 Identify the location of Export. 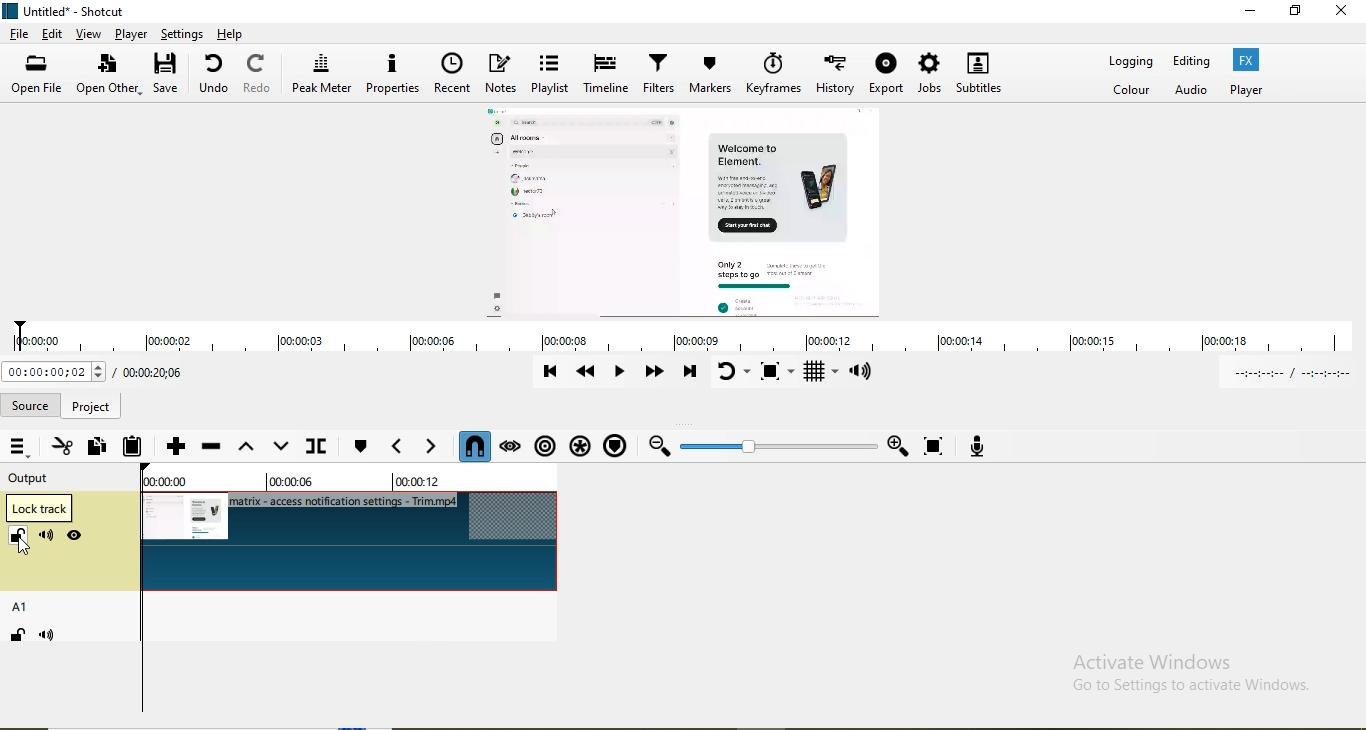
(888, 76).